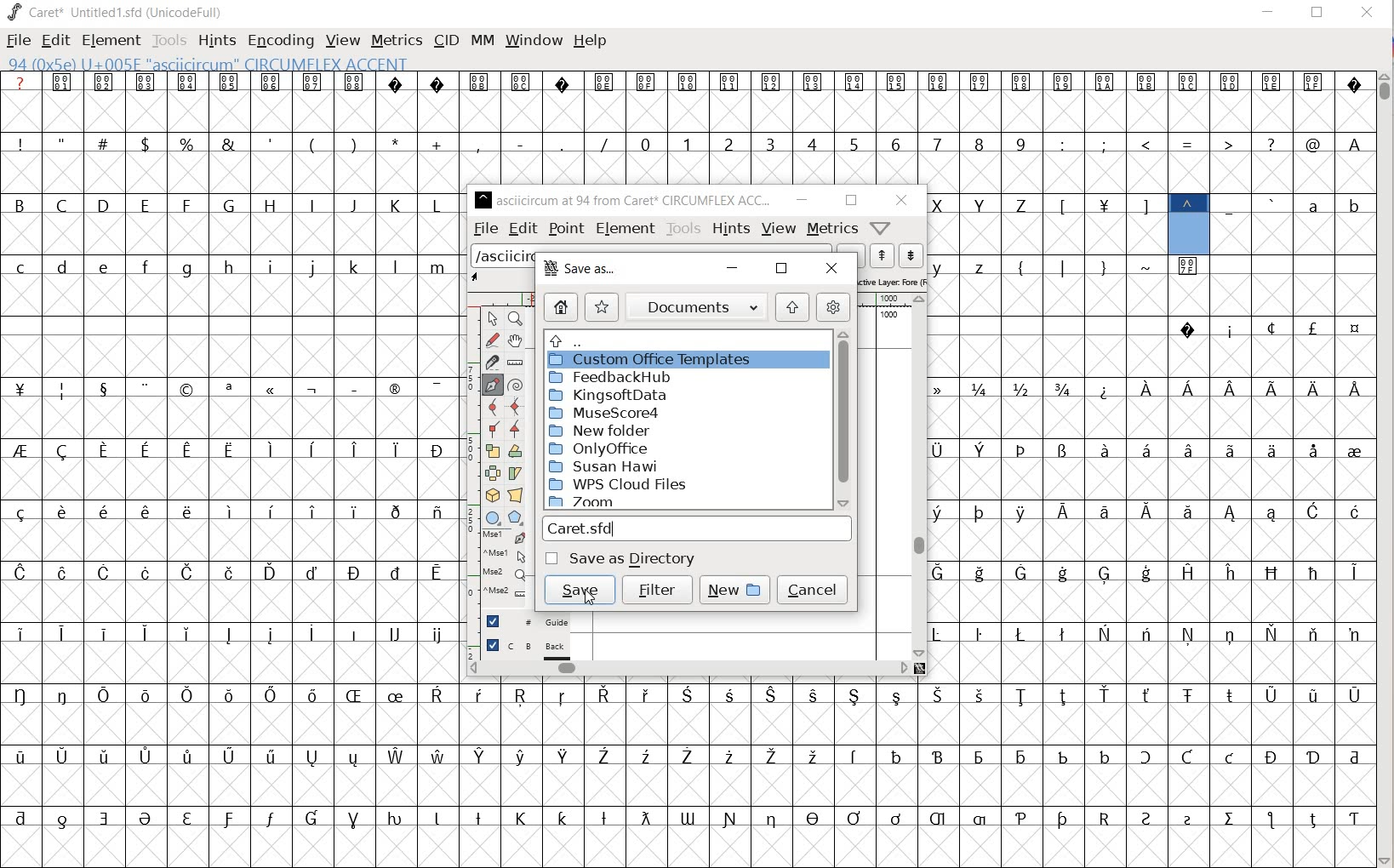 This screenshot has width=1394, height=868. Describe the element at coordinates (494, 320) in the screenshot. I see `POINTER` at that location.